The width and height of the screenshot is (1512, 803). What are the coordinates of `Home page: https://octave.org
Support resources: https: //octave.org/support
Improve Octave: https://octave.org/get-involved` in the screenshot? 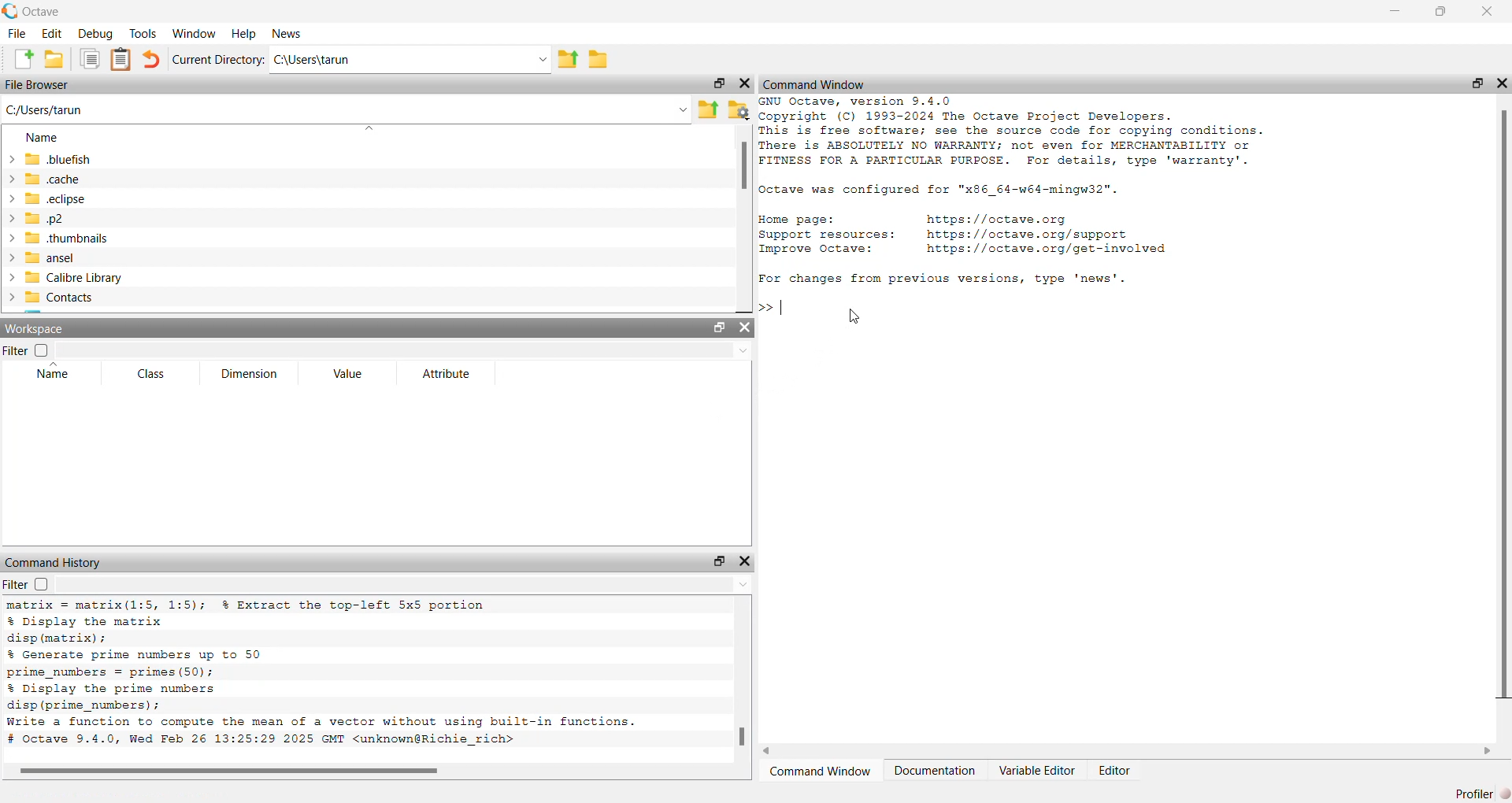 It's located at (965, 235).